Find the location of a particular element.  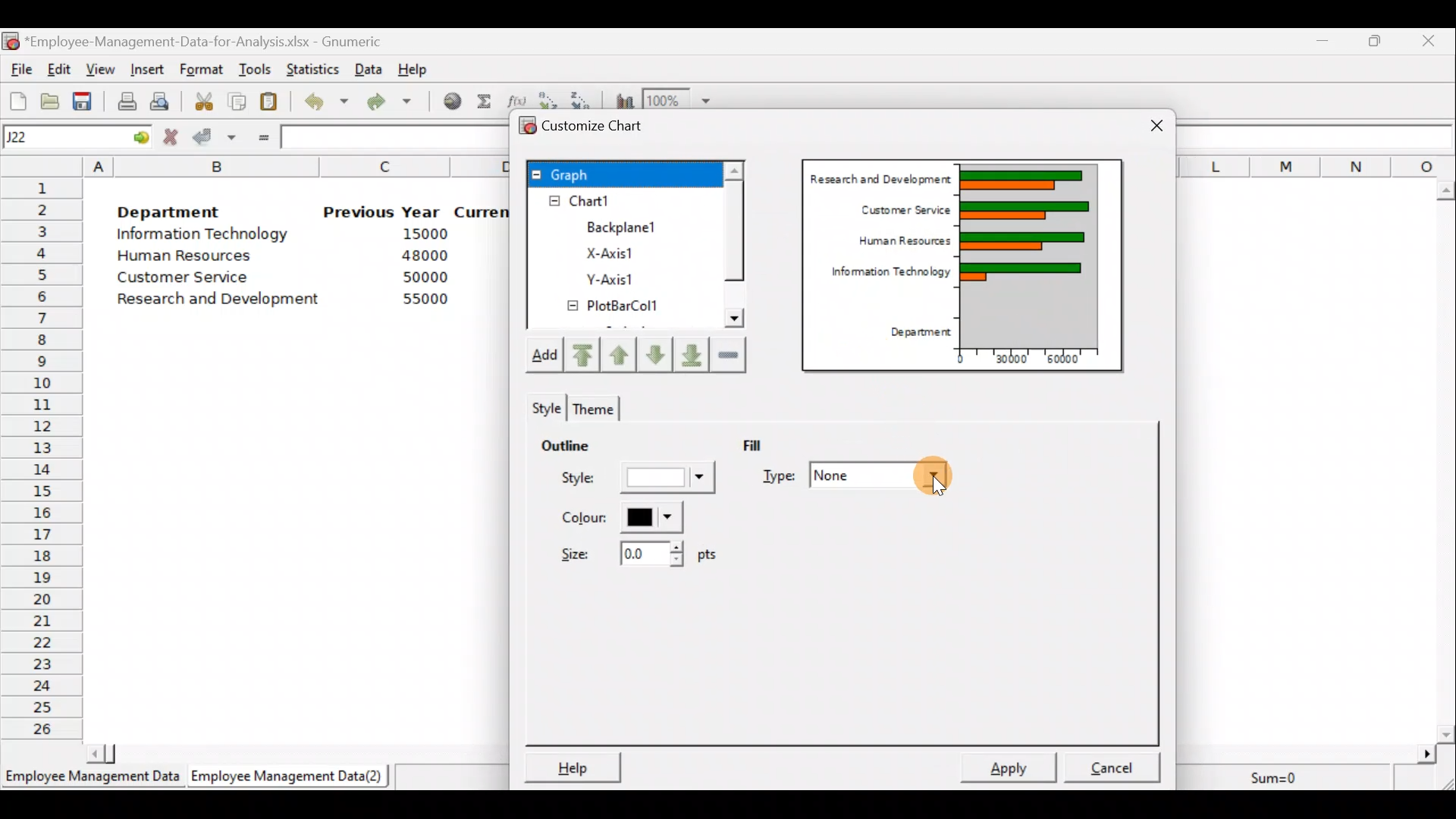

Zoom is located at coordinates (679, 99).